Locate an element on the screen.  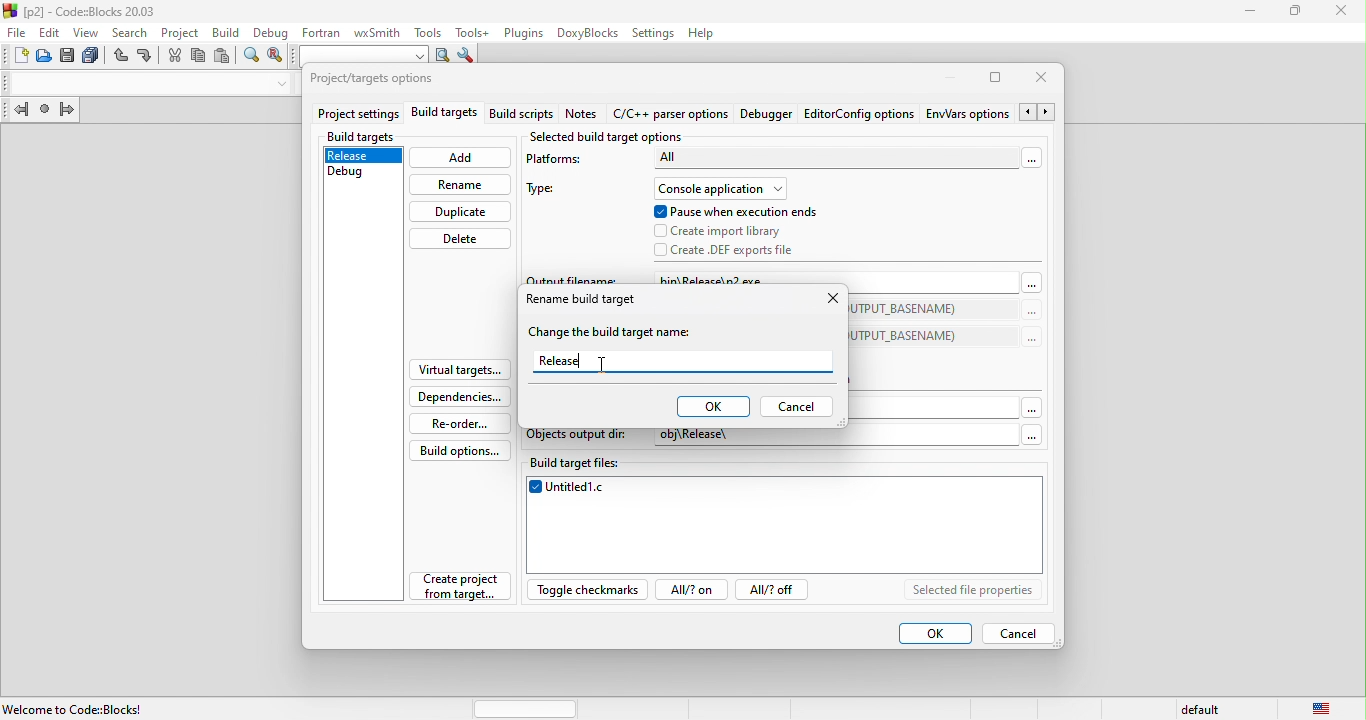
edit is located at coordinates (50, 32).